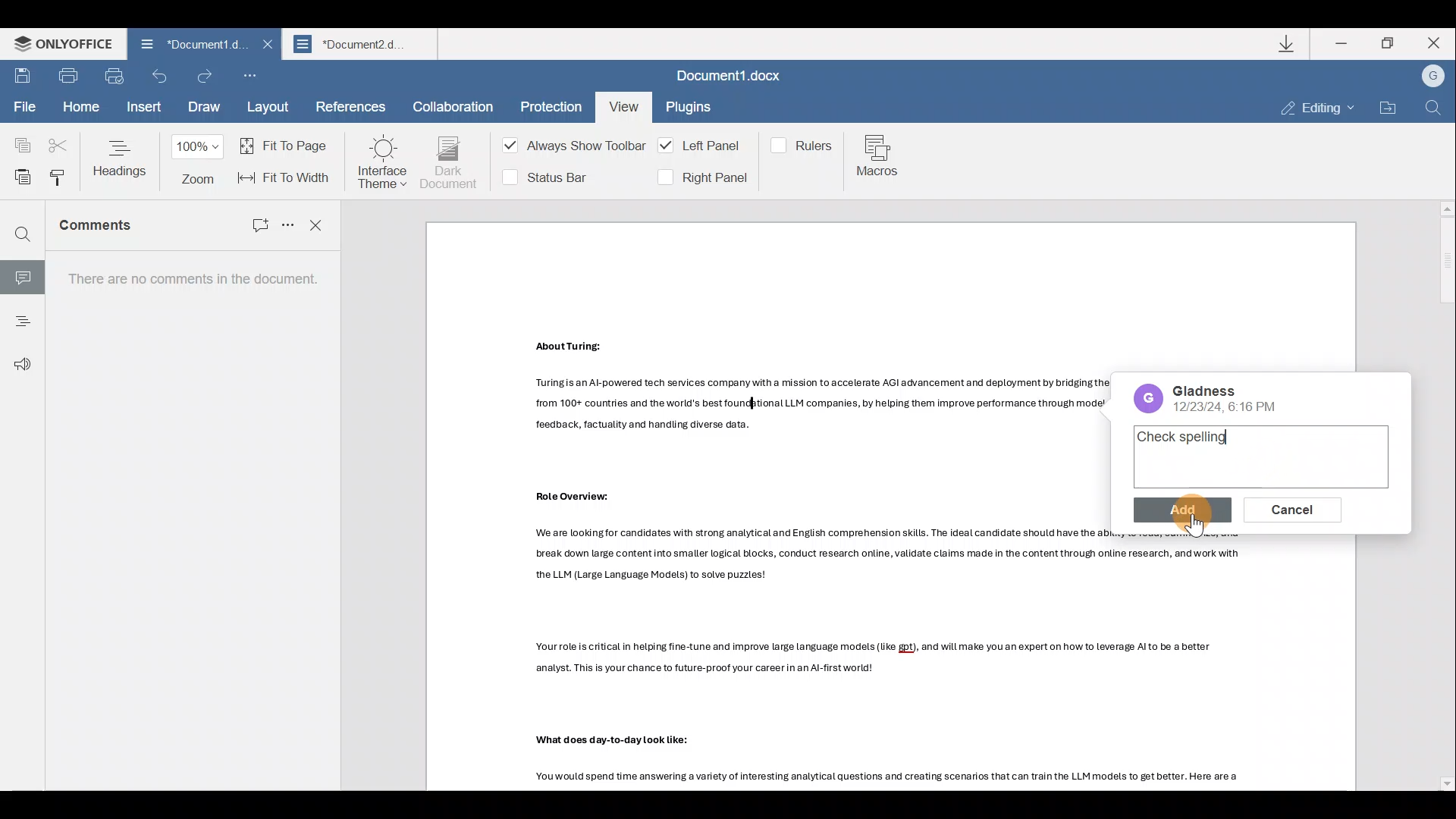 This screenshot has width=1456, height=819. What do you see at coordinates (72, 78) in the screenshot?
I see `Print file` at bounding box center [72, 78].